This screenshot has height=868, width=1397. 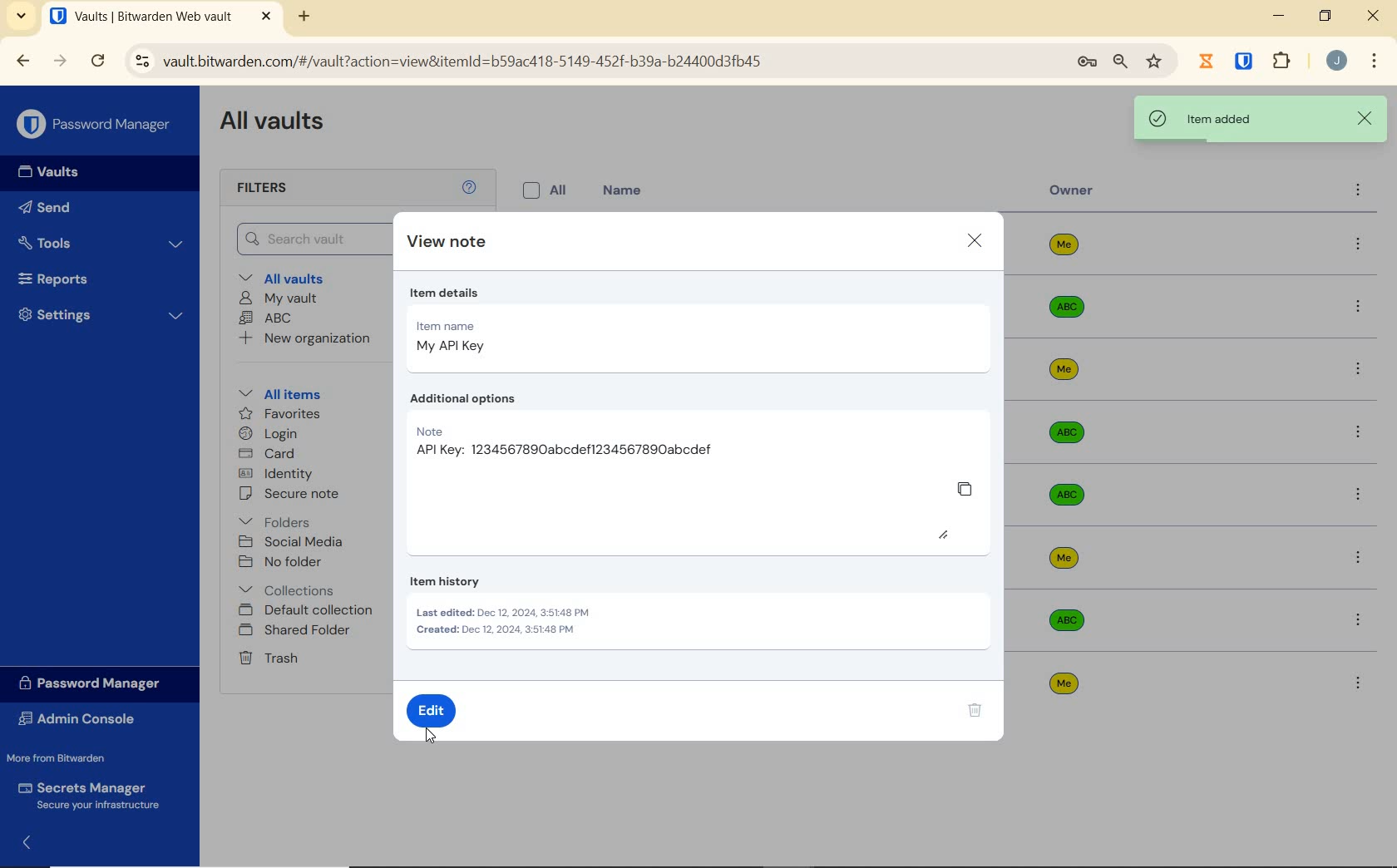 What do you see at coordinates (95, 280) in the screenshot?
I see `Reports` at bounding box center [95, 280].